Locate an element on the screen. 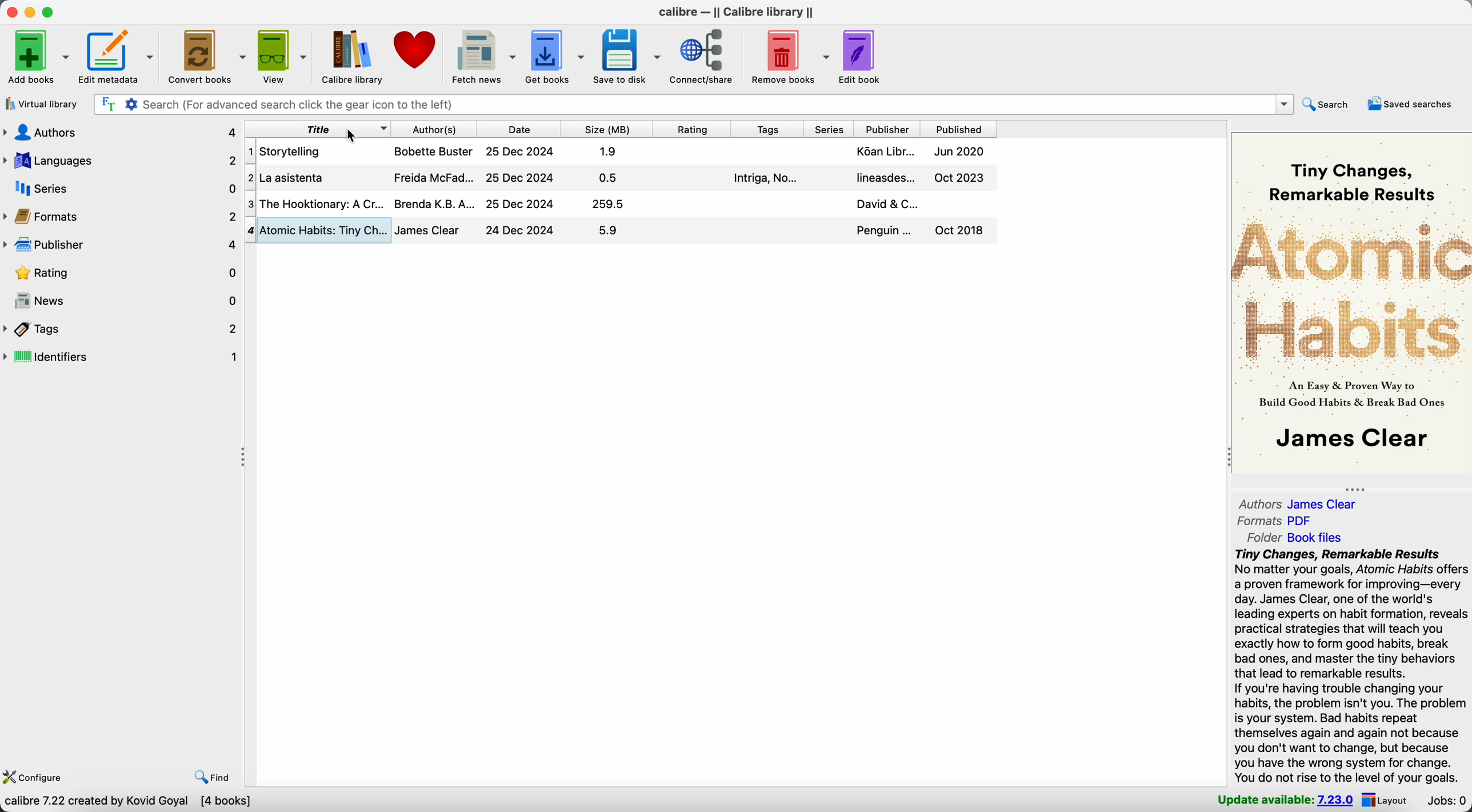 Image resolution: width=1472 pixels, height=812 pixels. Koan libr is located at coordinates (886, 151).